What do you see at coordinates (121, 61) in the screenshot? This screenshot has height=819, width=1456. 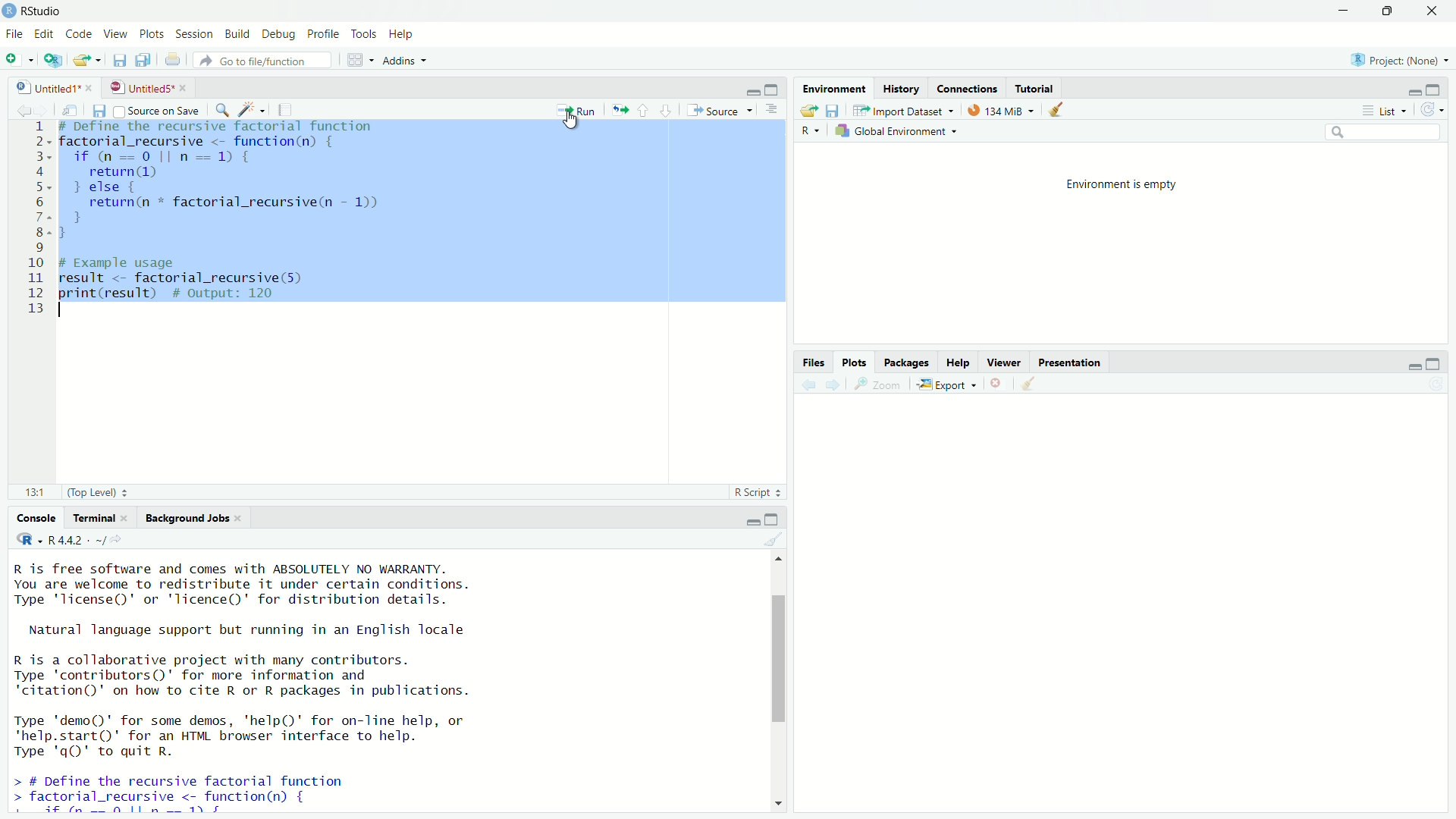 I see `Save current document (Ctrl + S)` at bounding box center [121, 61].